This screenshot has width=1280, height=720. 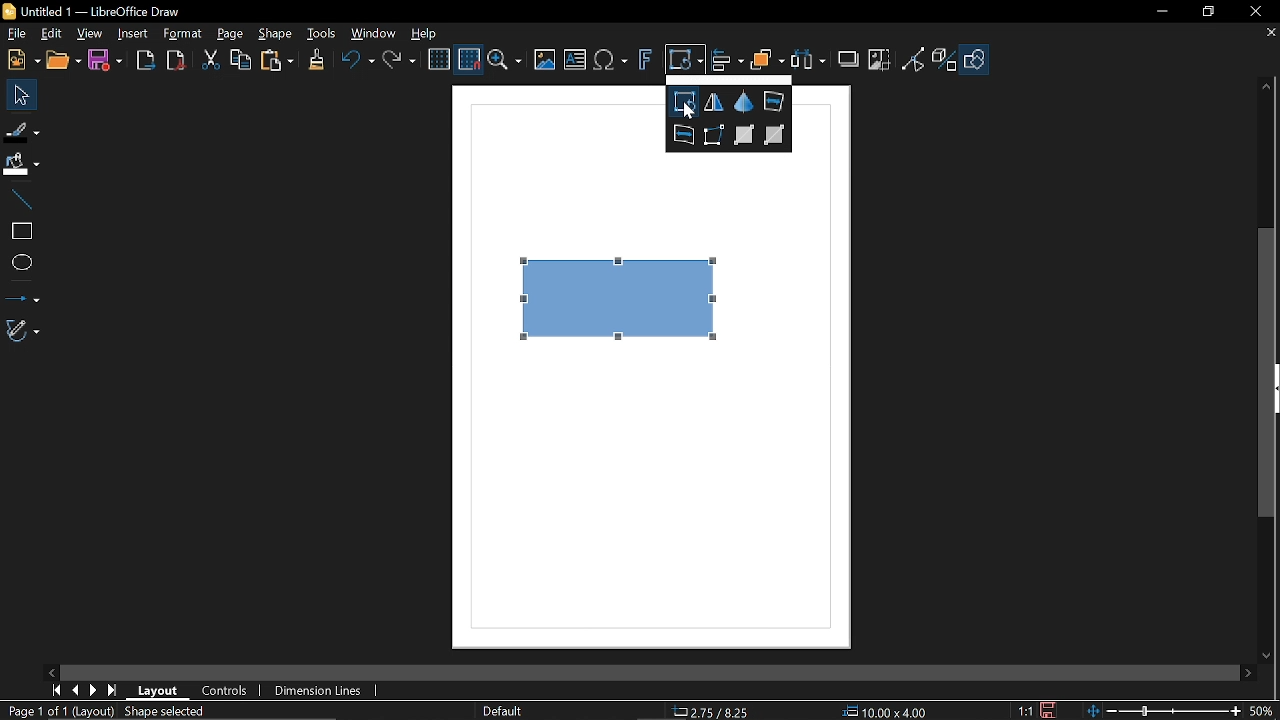 I want to click on Snap to grid, so click(x=468, y=60).